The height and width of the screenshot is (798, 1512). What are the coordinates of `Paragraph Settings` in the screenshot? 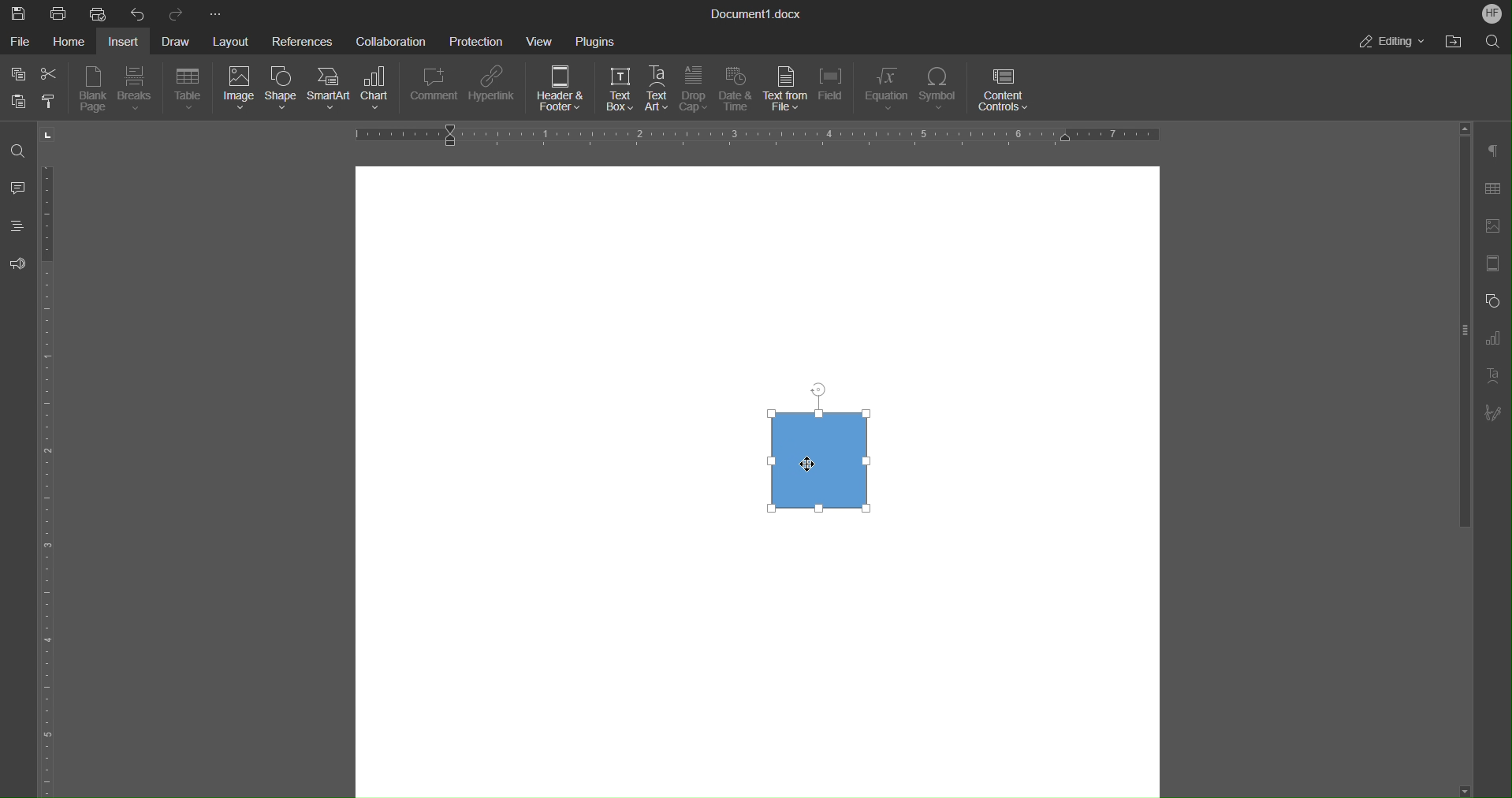 It's located at (1498, 151).